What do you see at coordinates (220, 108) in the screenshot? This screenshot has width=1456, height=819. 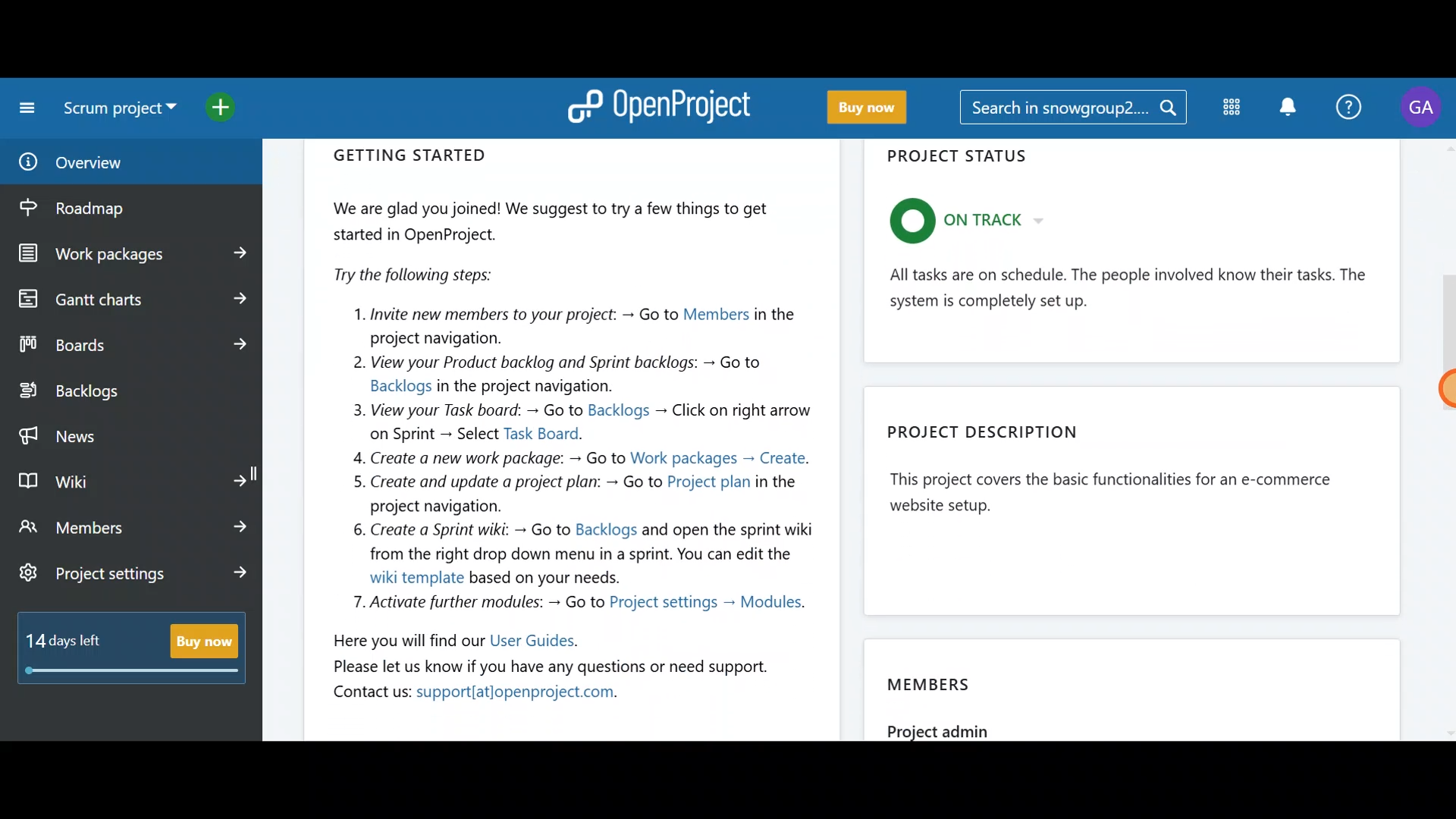 I see `Open quick add menu` at bounding box center [220, 108].